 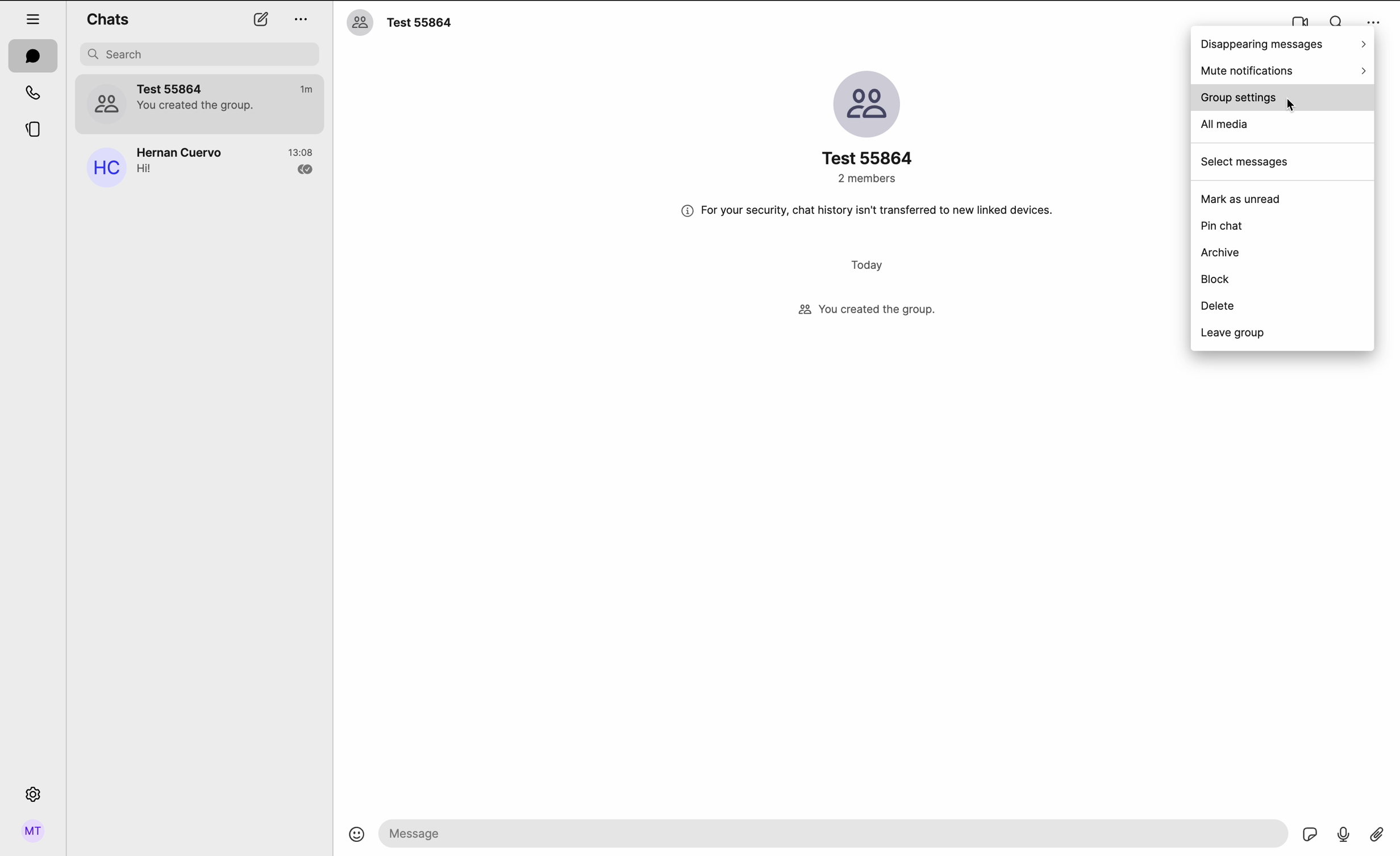 What do you see at coordinates (1285, 70) in the screenshot?
I see `mute notifications` at bounding box center [1285, 70].